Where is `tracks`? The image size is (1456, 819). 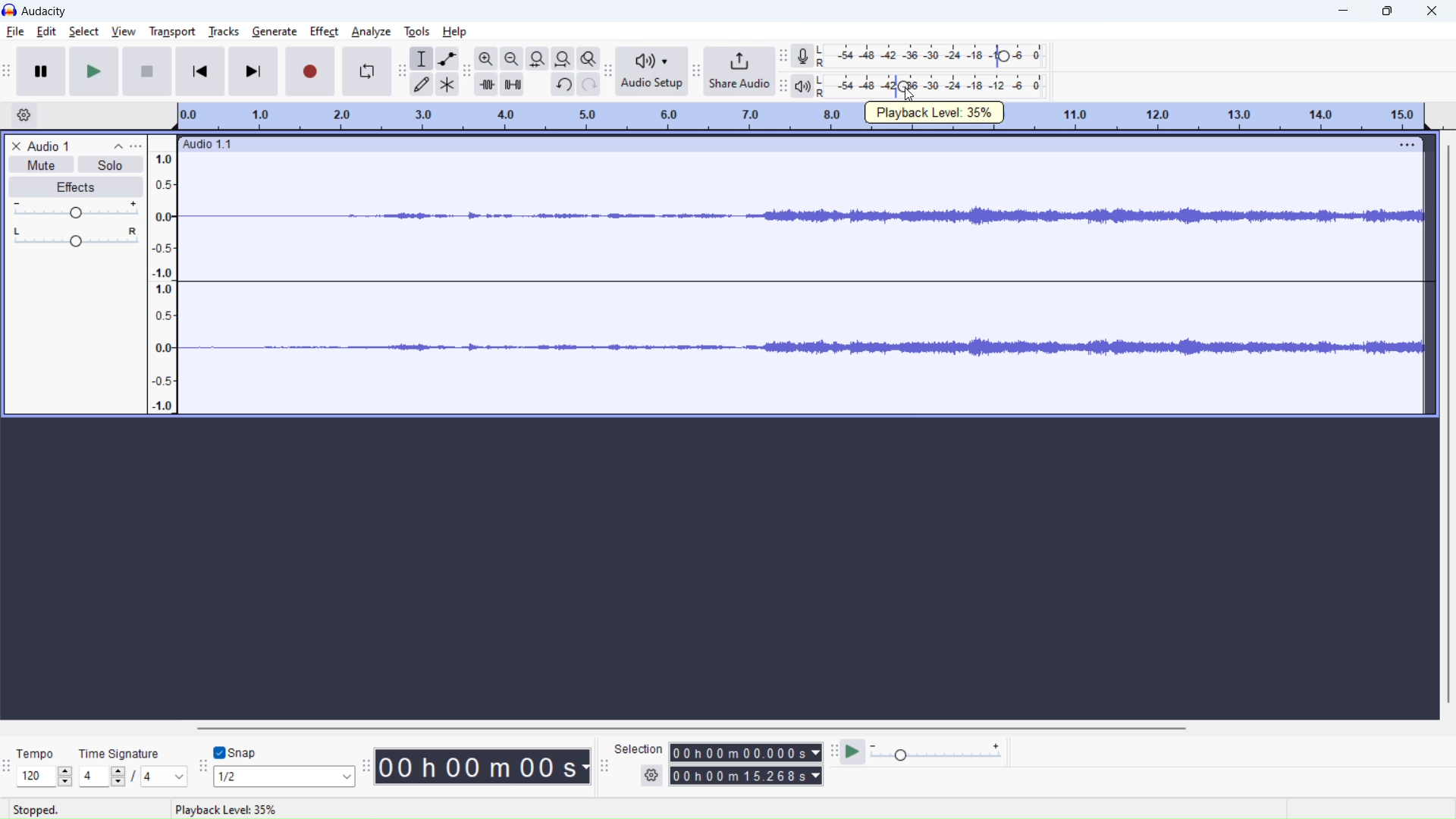
tracks is located at coordinates (224, 32).